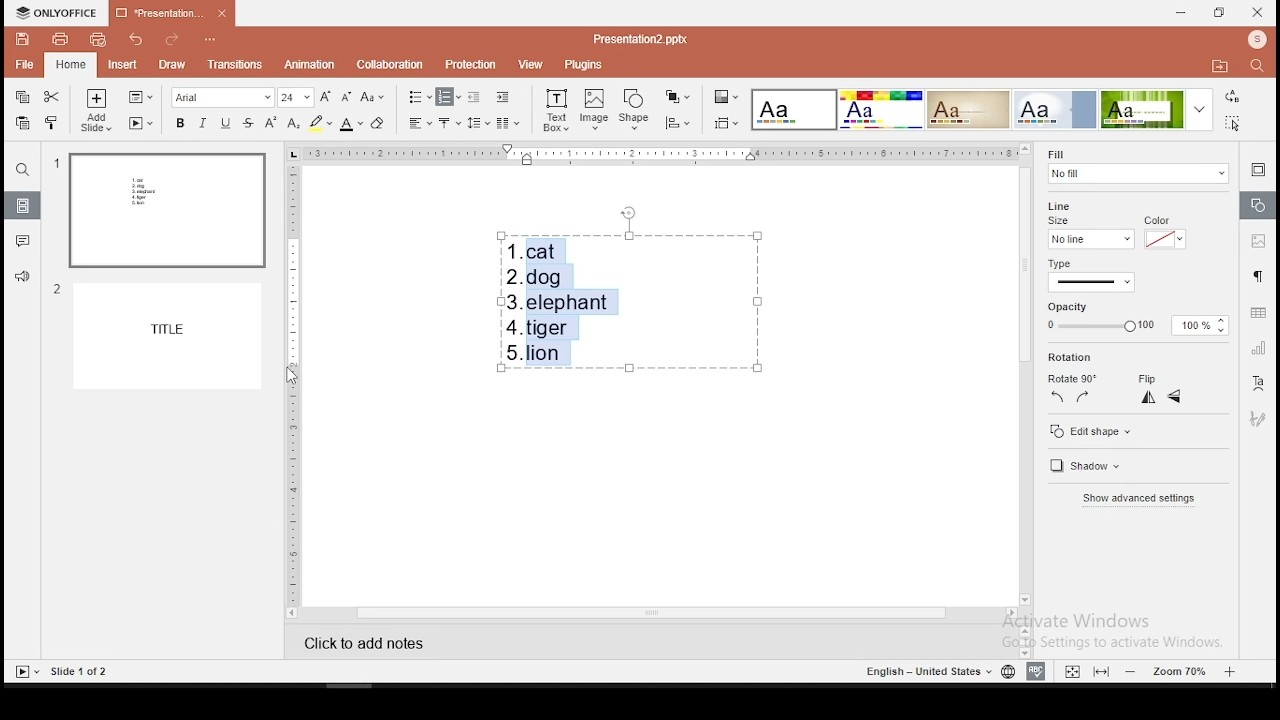 This screenshot has width=1280, height=720. What do you see at coordinates (1036, 672) in the screenshot?
I see `spell check` at bounding box center [1036, 672].